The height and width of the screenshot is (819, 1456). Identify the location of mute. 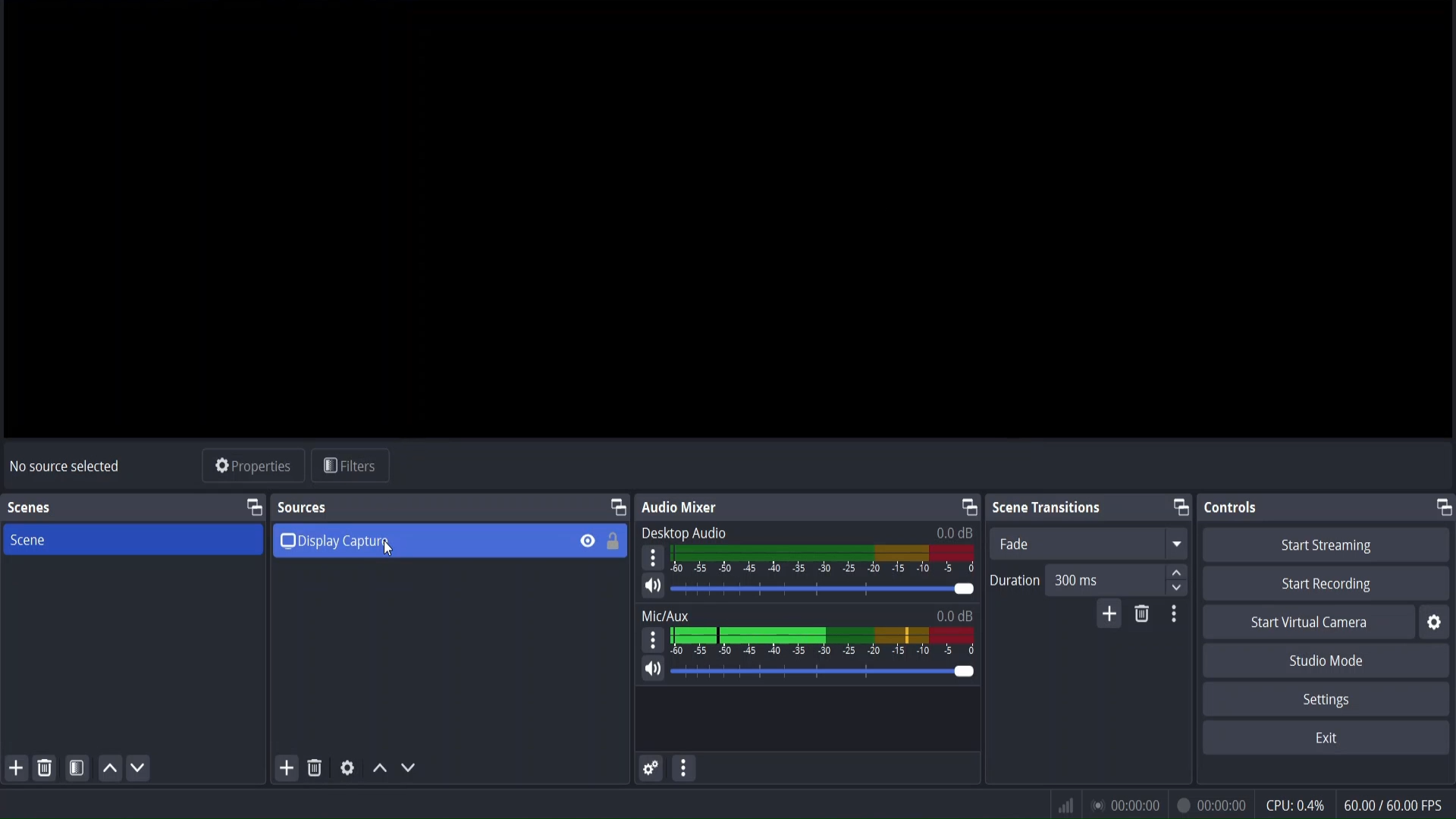
(654, 670).